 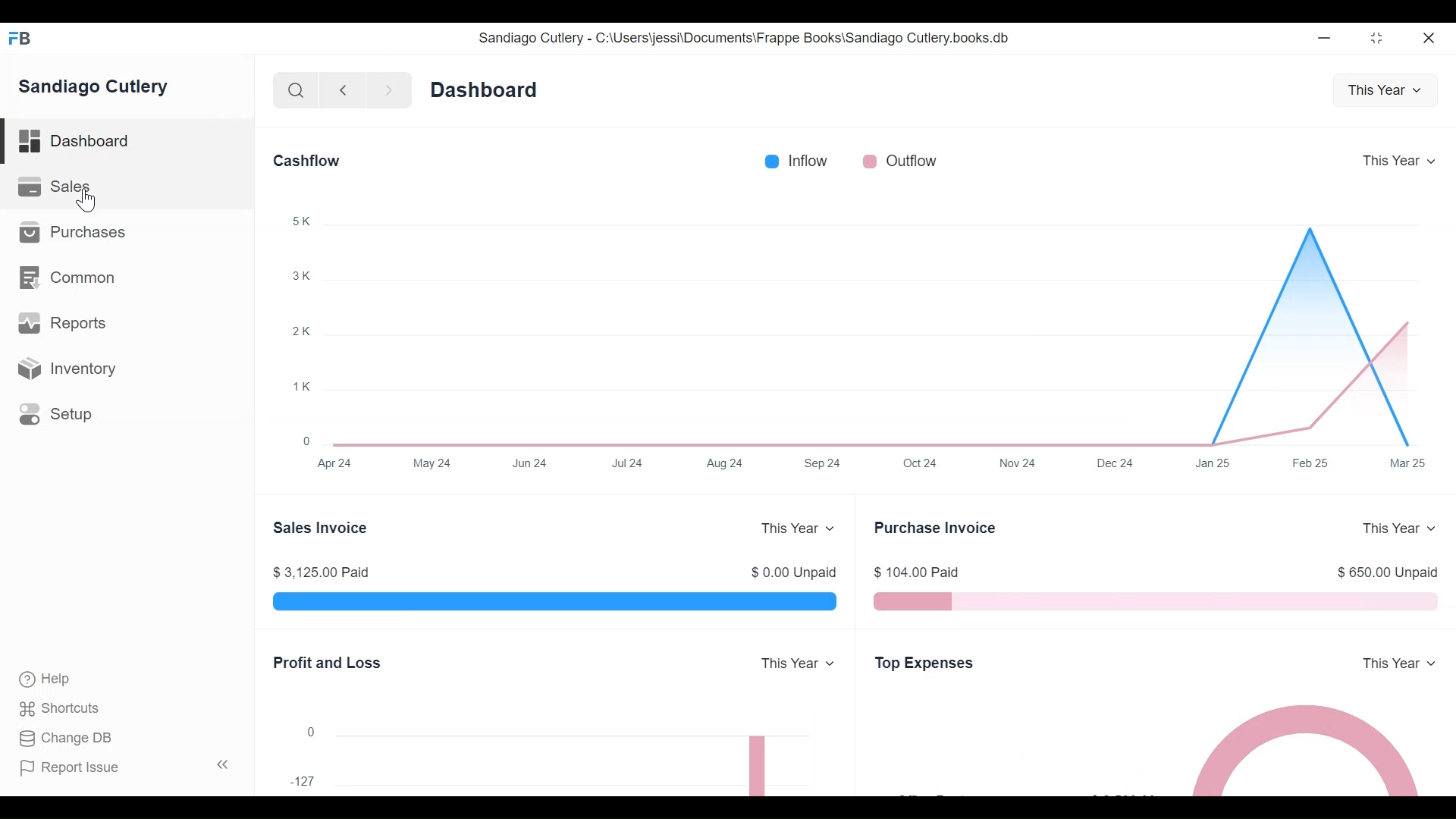 What do you see at coordinates (67, 739) in the screenshot?
I see `Change DB` at bounding box center [67, 739].